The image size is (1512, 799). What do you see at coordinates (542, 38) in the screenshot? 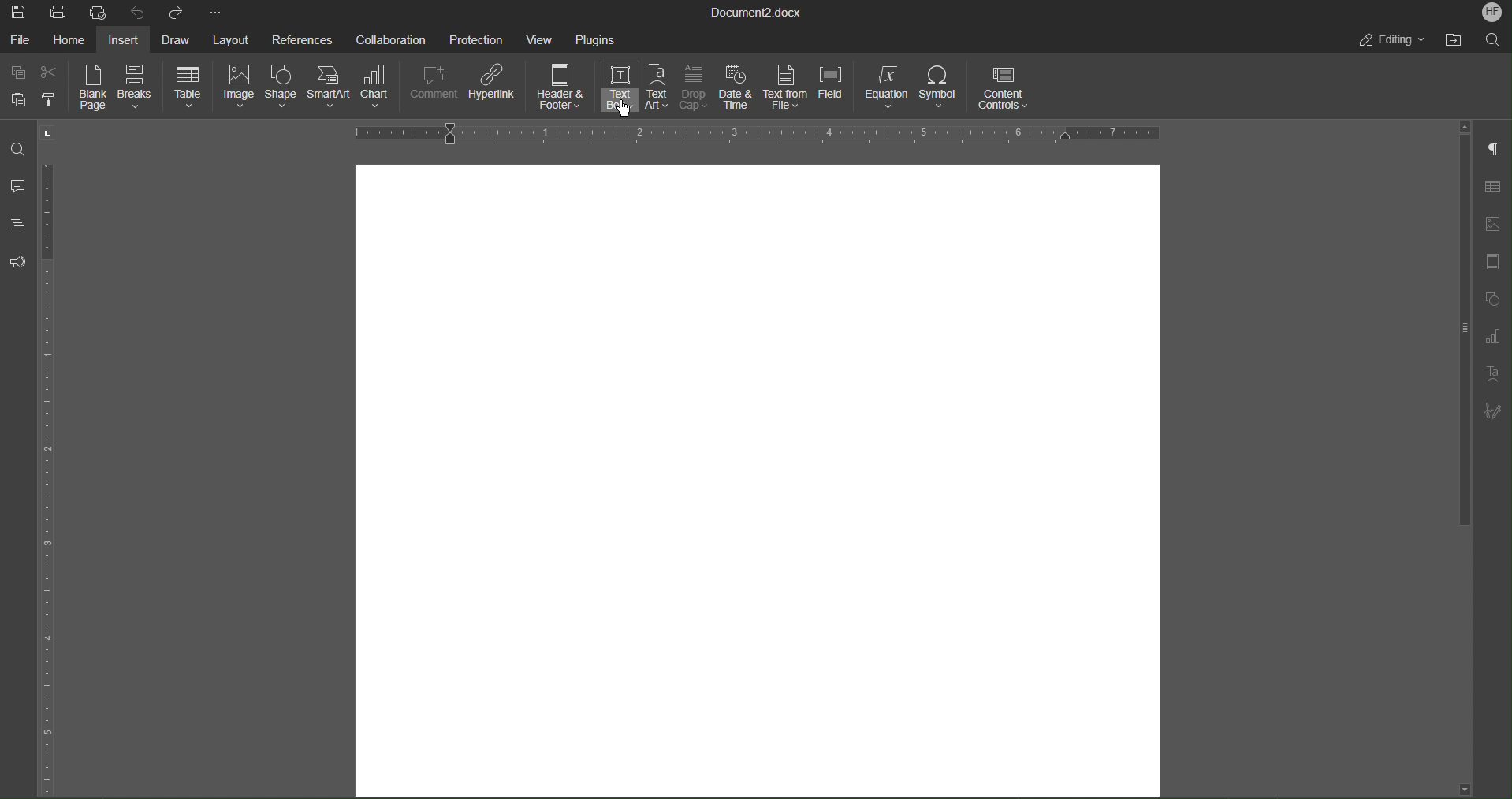
I see `View` at bounding box center [542, 38].